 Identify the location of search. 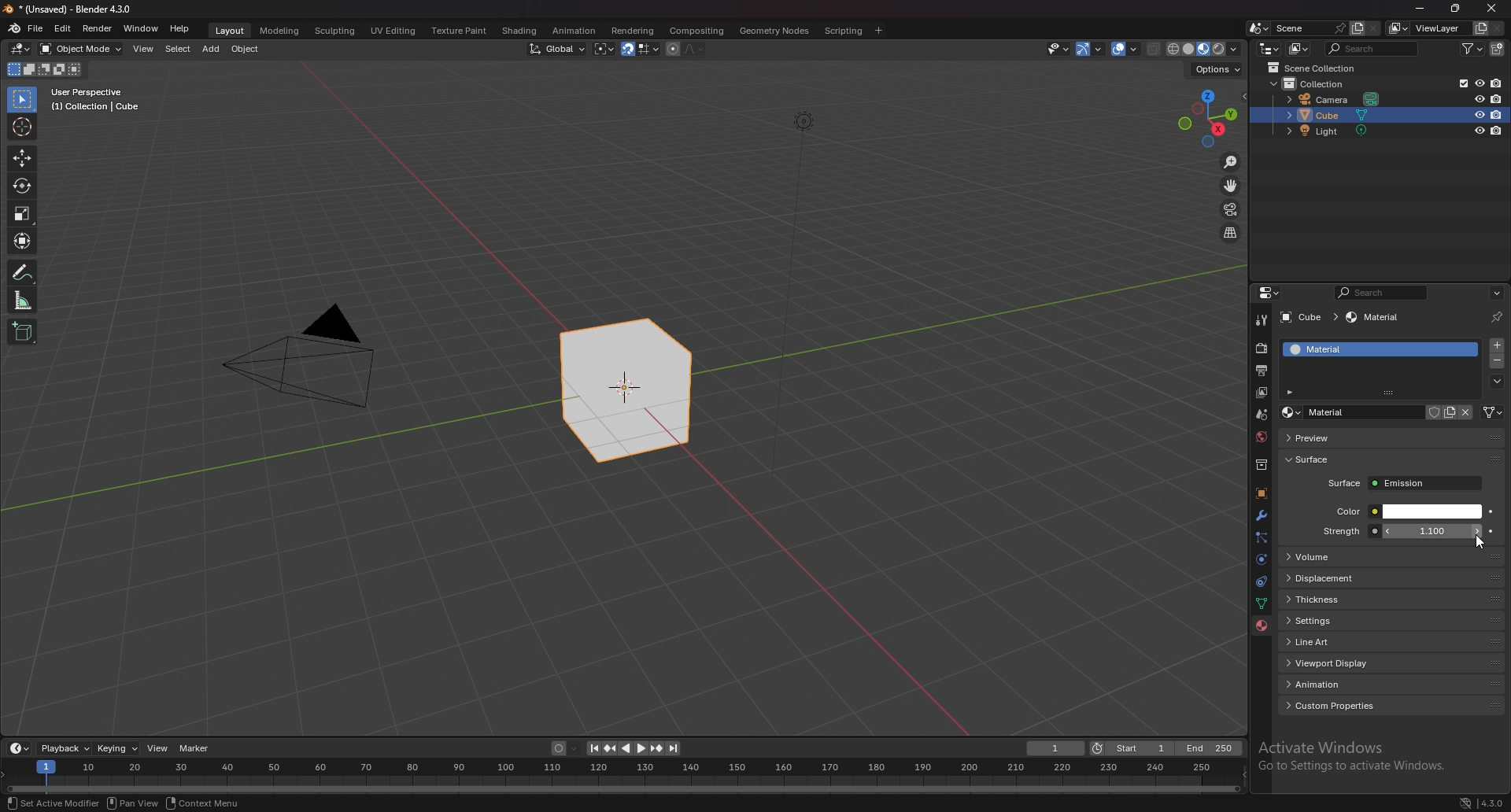
(1385, 293).